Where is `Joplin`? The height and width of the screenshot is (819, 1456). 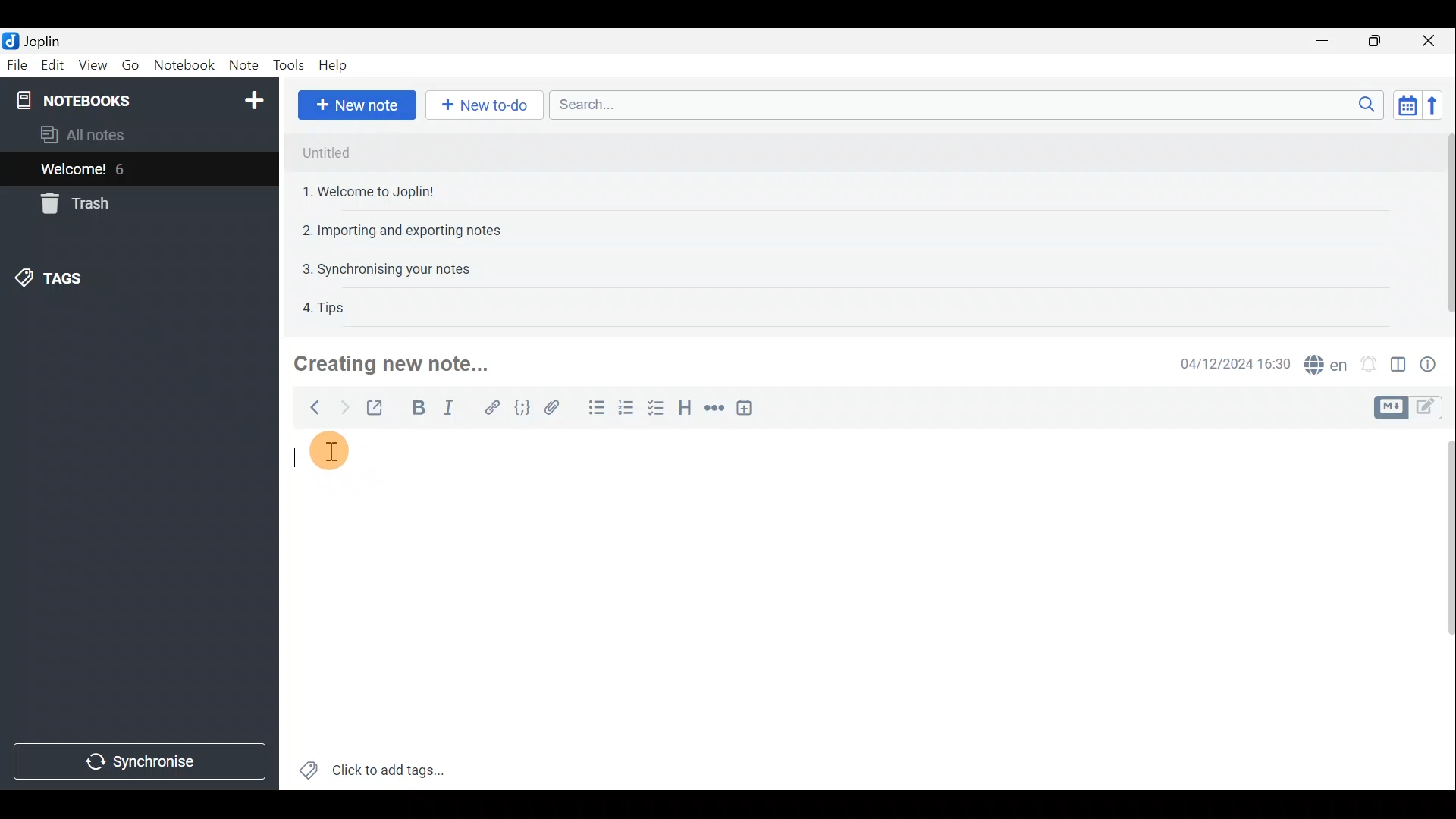
Joplin is located at coordinates (42, 40).